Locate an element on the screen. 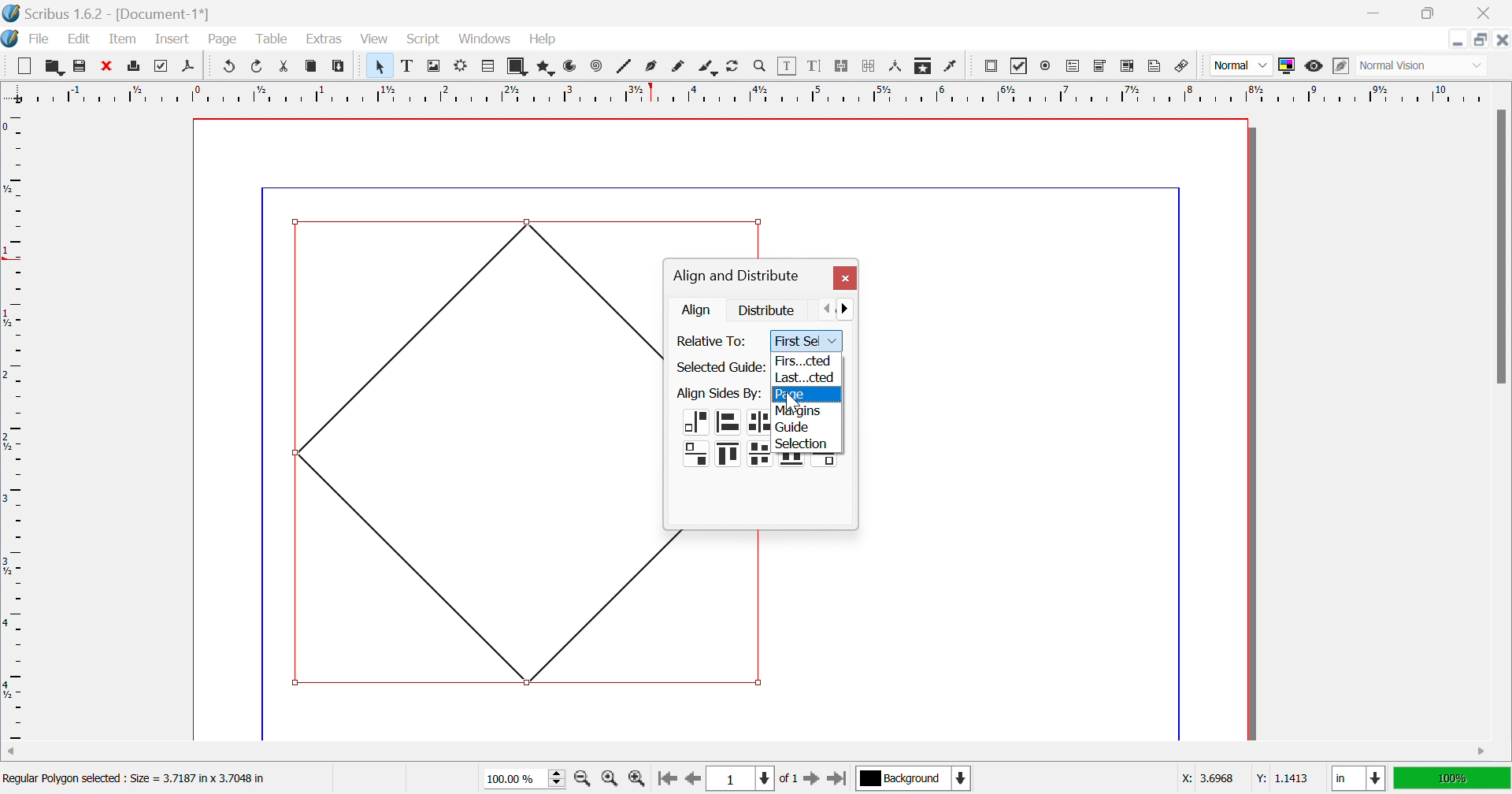 Image resolution: width=1512 pixels, height=794 pixels. Scribus icon is located at coordinates (9, 39).